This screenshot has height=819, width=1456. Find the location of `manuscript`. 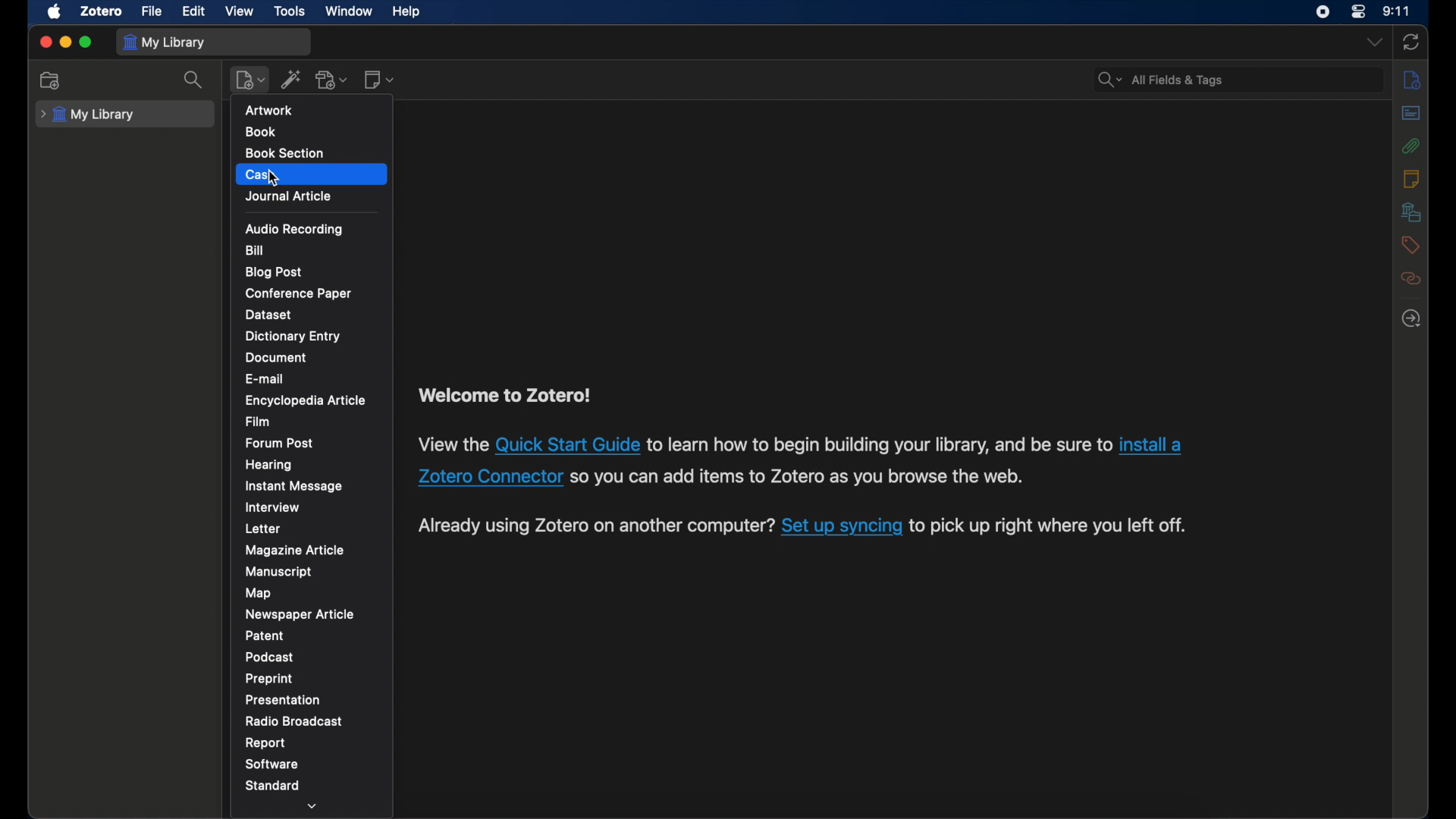

manuscript is located at coordinates (278, 571).